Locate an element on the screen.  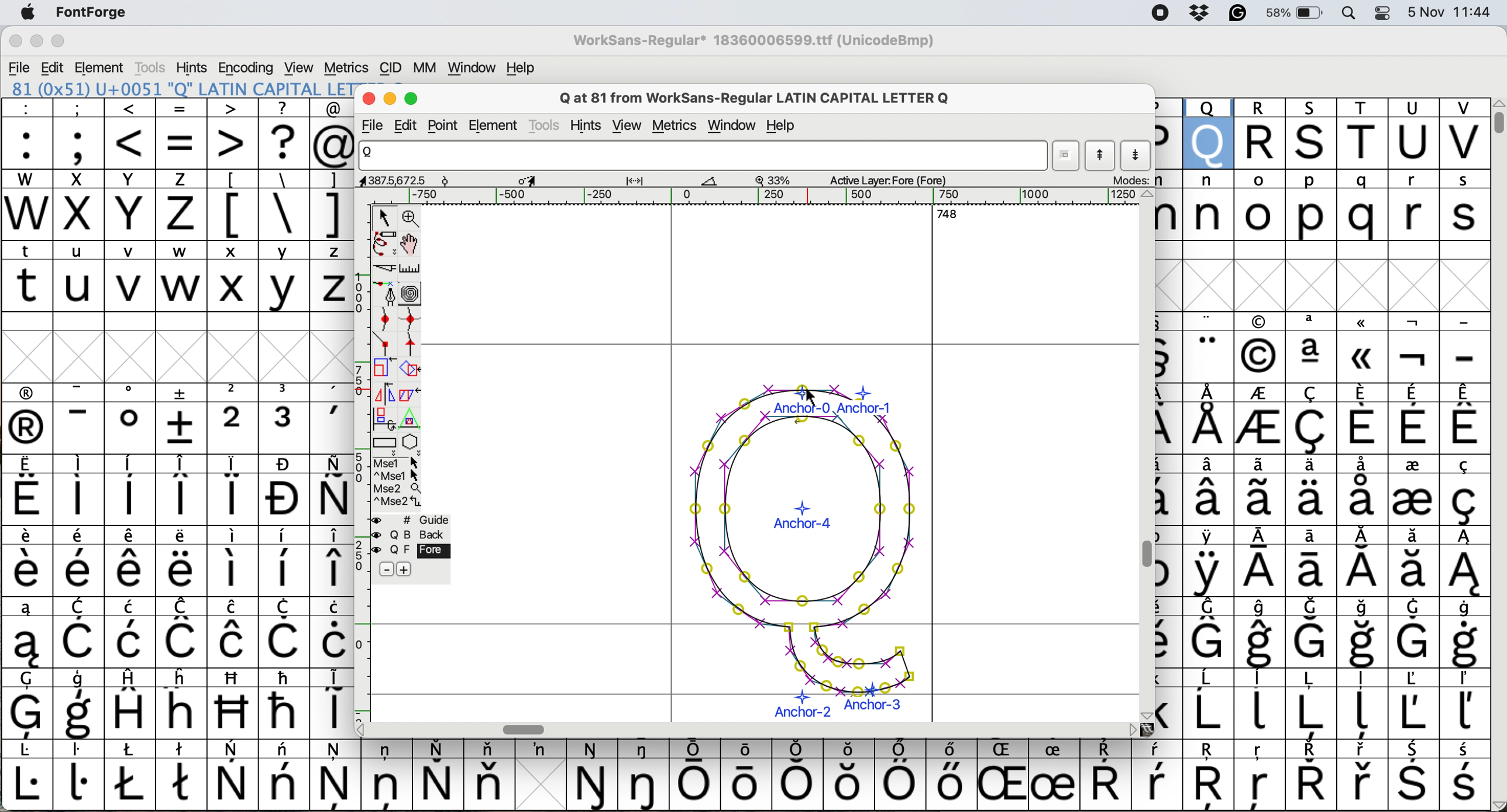
lowercase letters is located at coordinates (177, 252).